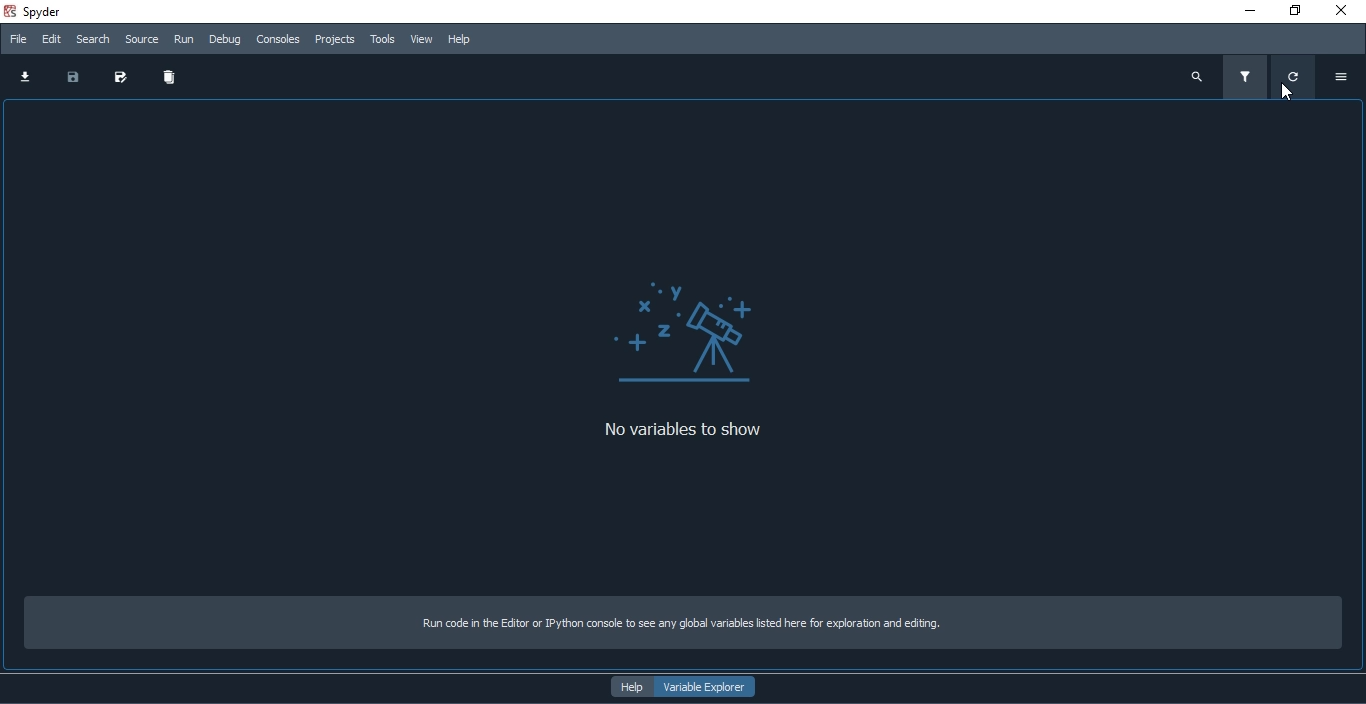 This screenshot has height=704, width=1366. What do you see at coordinates (1347, 79) in the screenshot?
I see `options` at bounding box center [1347, 79].